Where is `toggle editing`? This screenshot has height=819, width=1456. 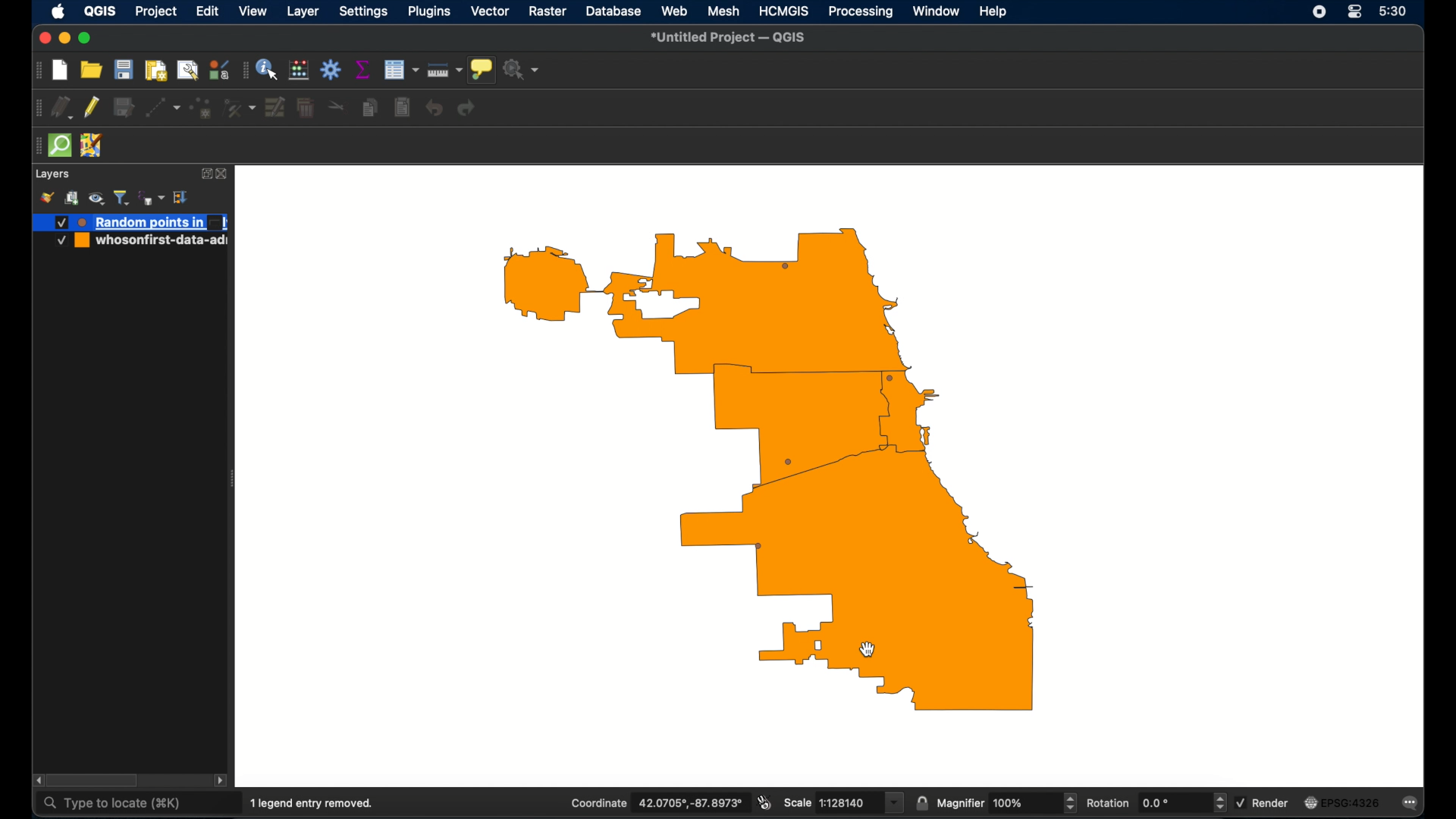 toggle editing is located at coordinates (92, 108).